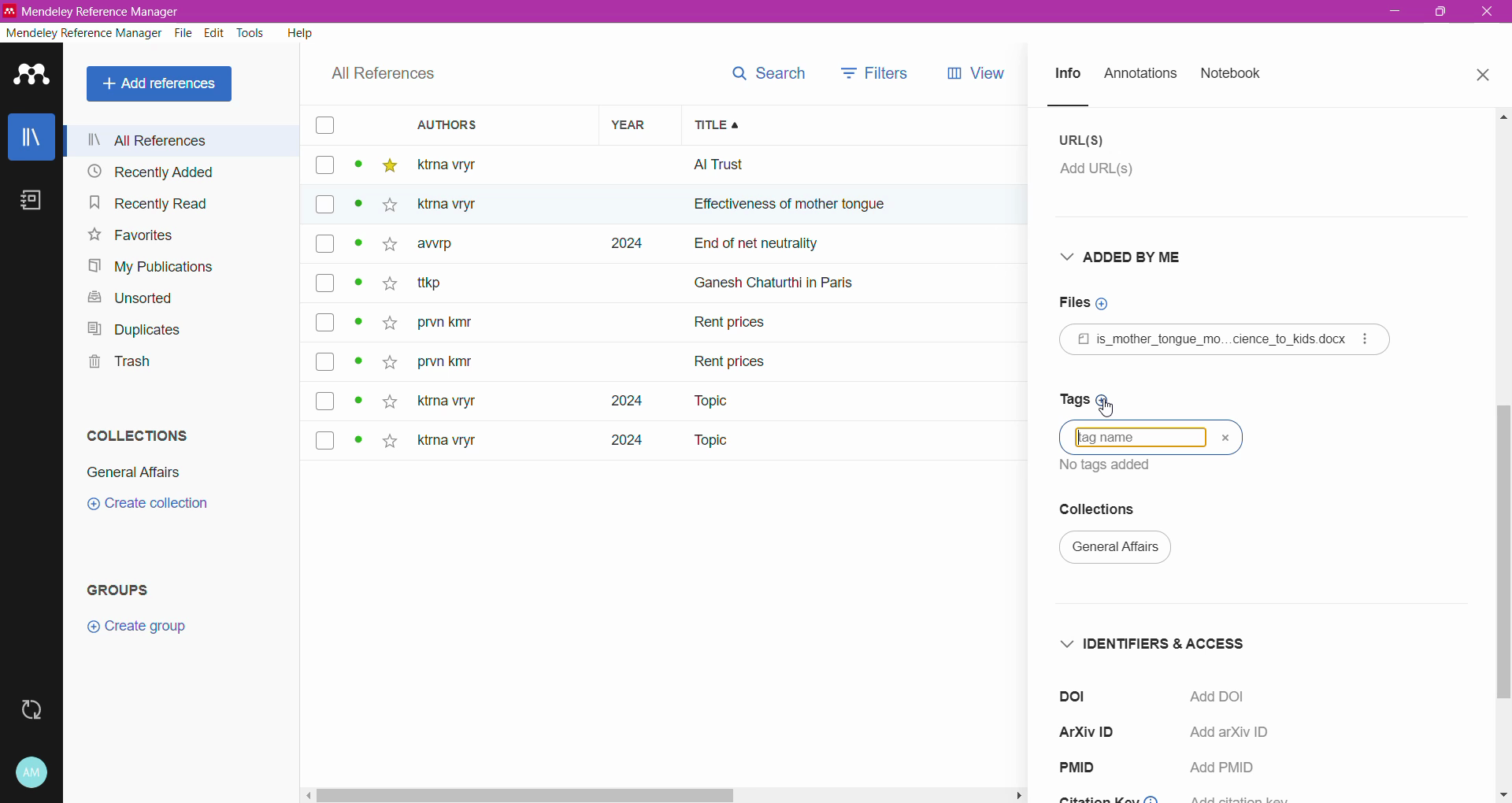 The image size is (1512, 803). What do you see at coordinates (185, 33) in the screenshot?
I see `File` at bounding box center [185, 33].